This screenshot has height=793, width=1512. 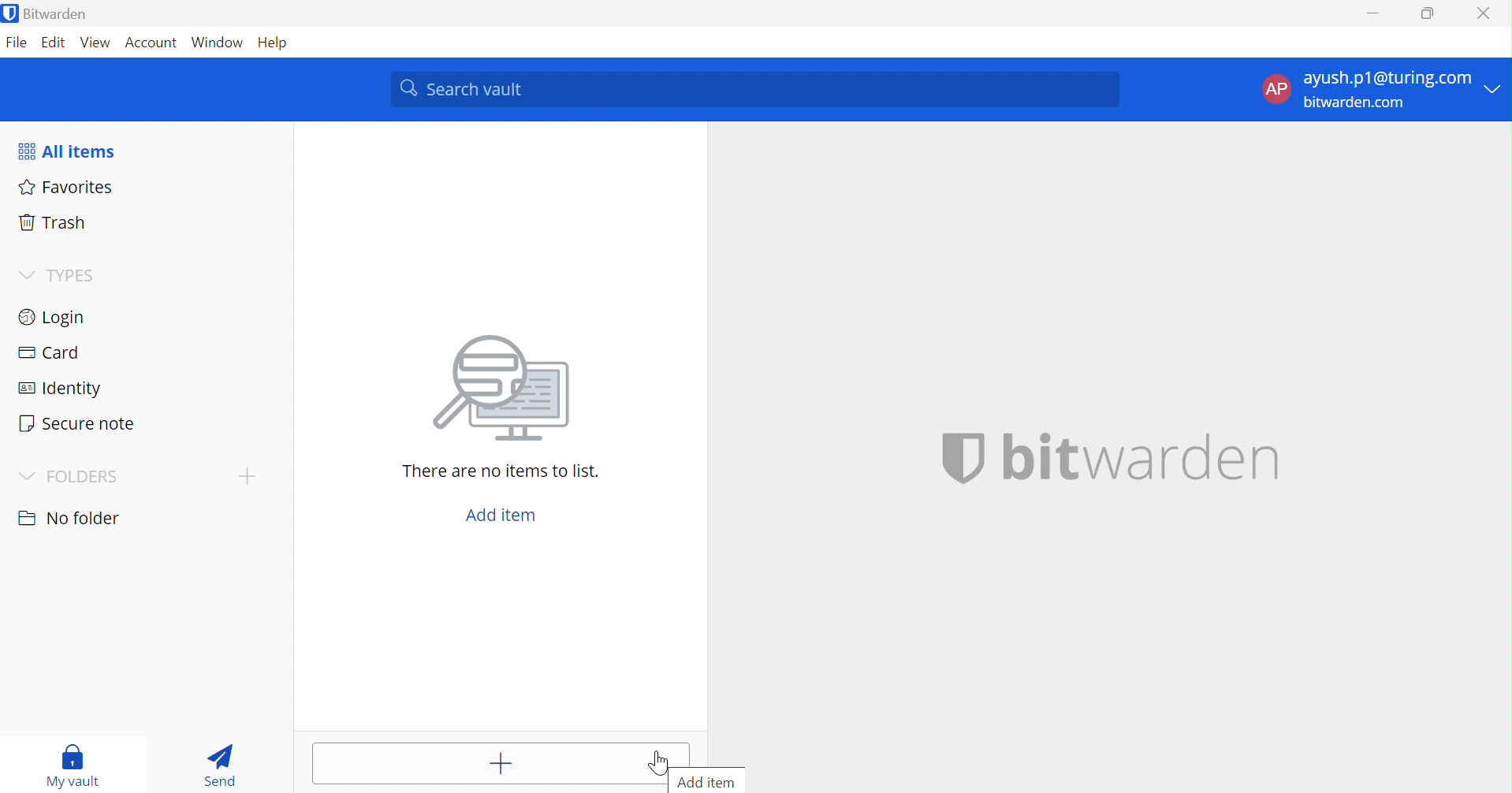 What do you see at coordinates (712, 781) in the screenshot?
I see `Add item` at bounding box center [712, 781].